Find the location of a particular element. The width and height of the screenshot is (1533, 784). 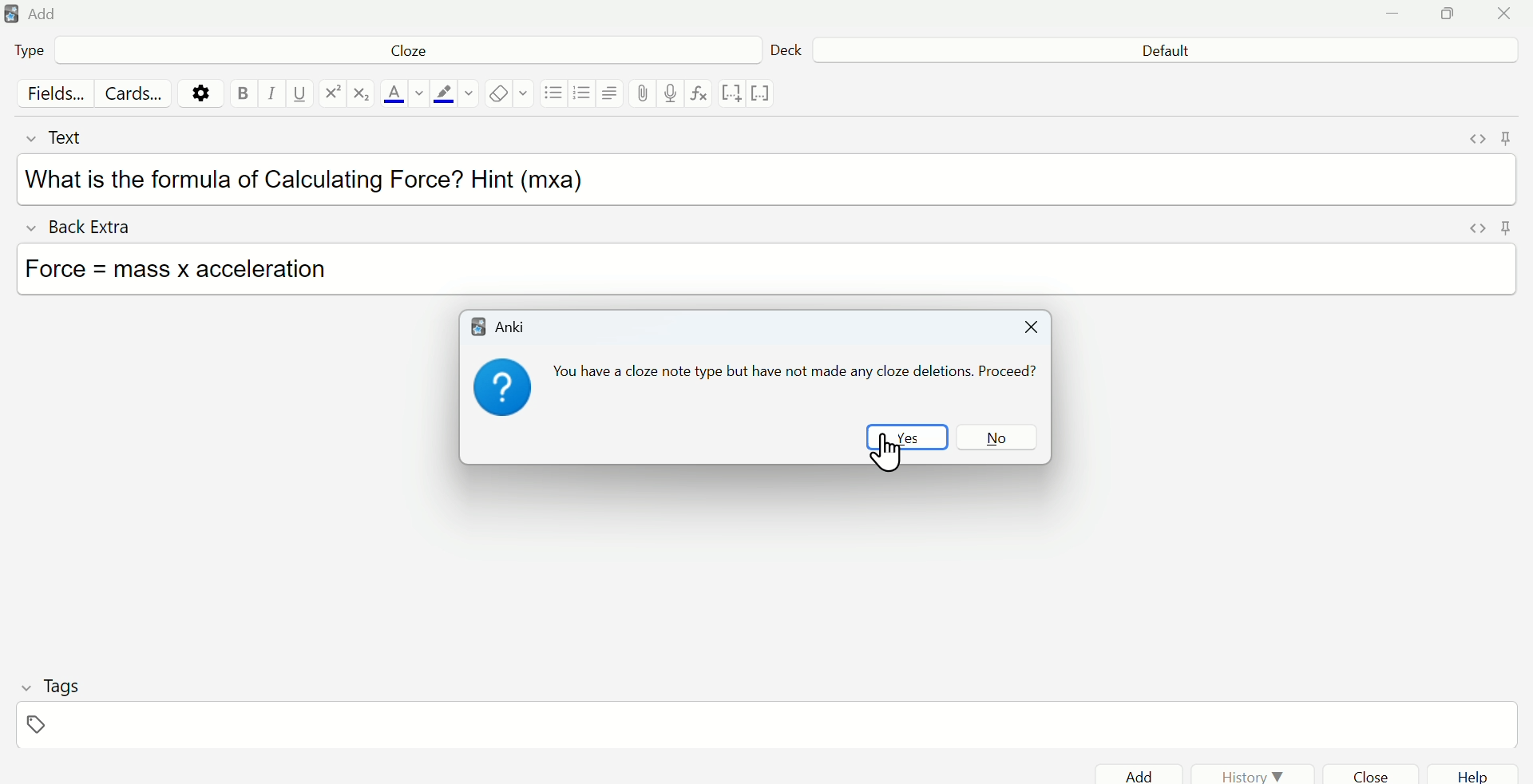

Anki is located at coordinates (501, 329).